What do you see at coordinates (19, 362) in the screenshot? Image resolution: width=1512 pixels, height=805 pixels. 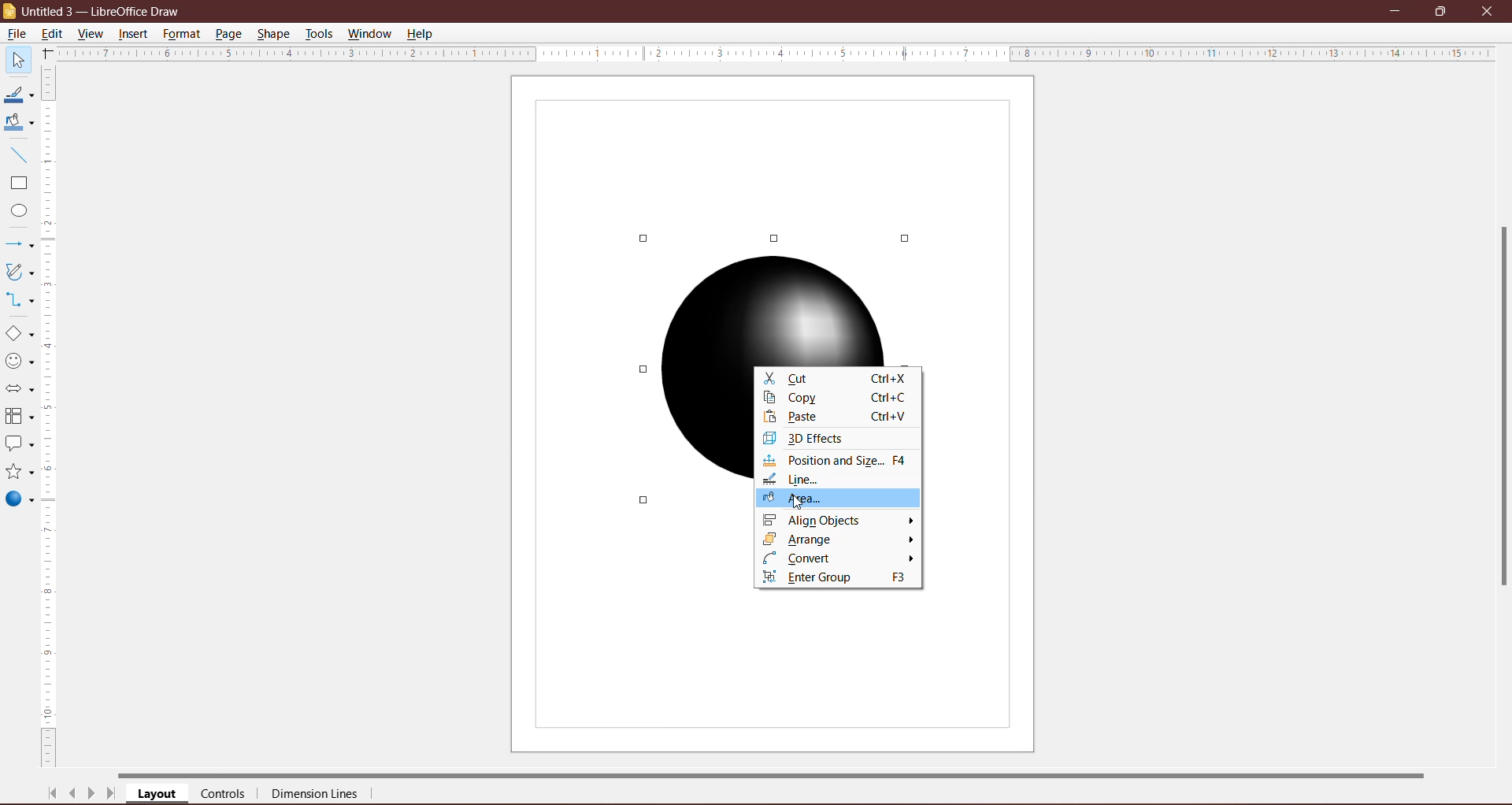 I see `Symbol Shapes` at bounding box center [19, 362].